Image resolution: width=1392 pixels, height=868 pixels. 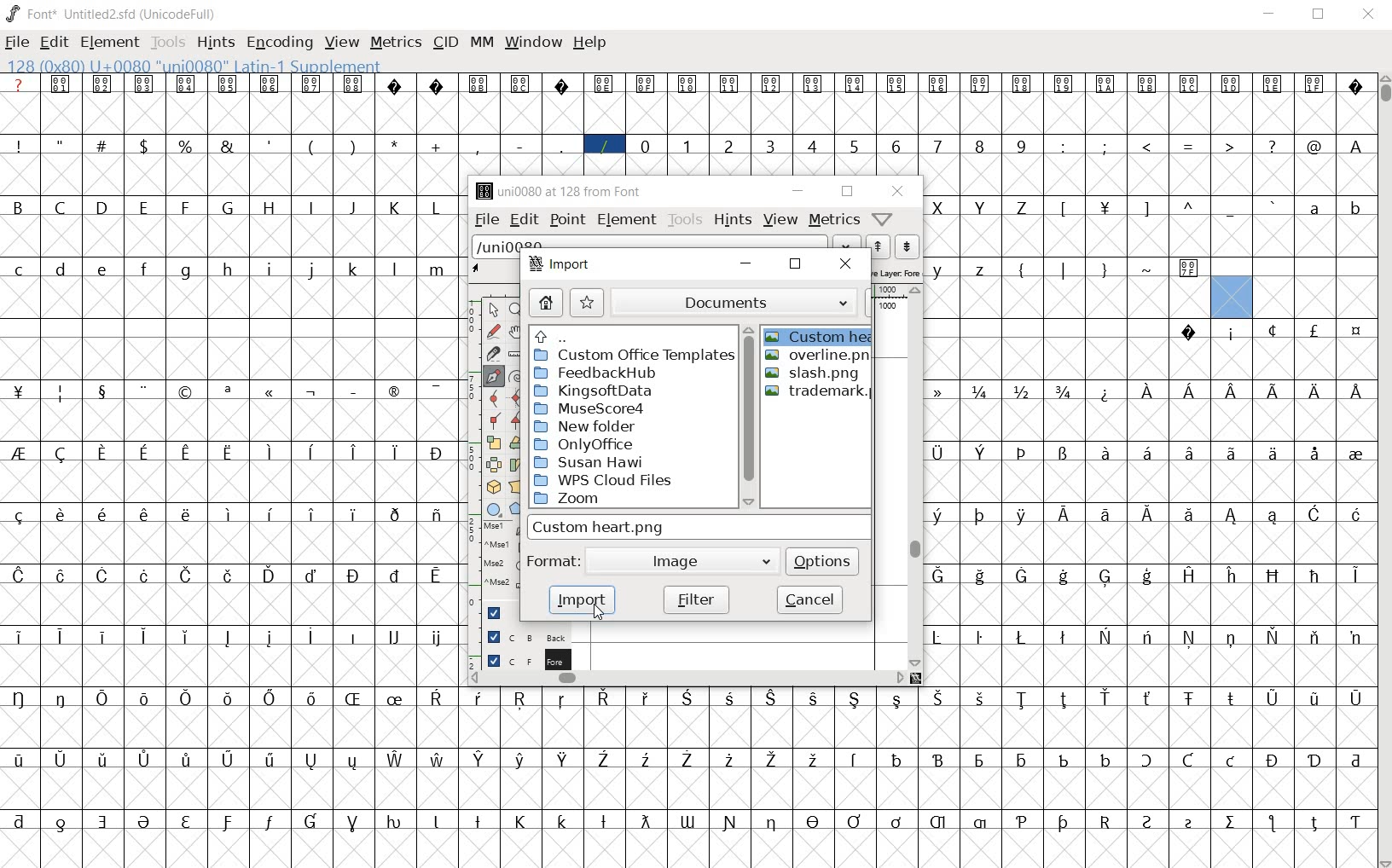 What do you see at coordinates (1189, 84) in the screenshot?
I see `glyph` at bounding box center [1189, 84].